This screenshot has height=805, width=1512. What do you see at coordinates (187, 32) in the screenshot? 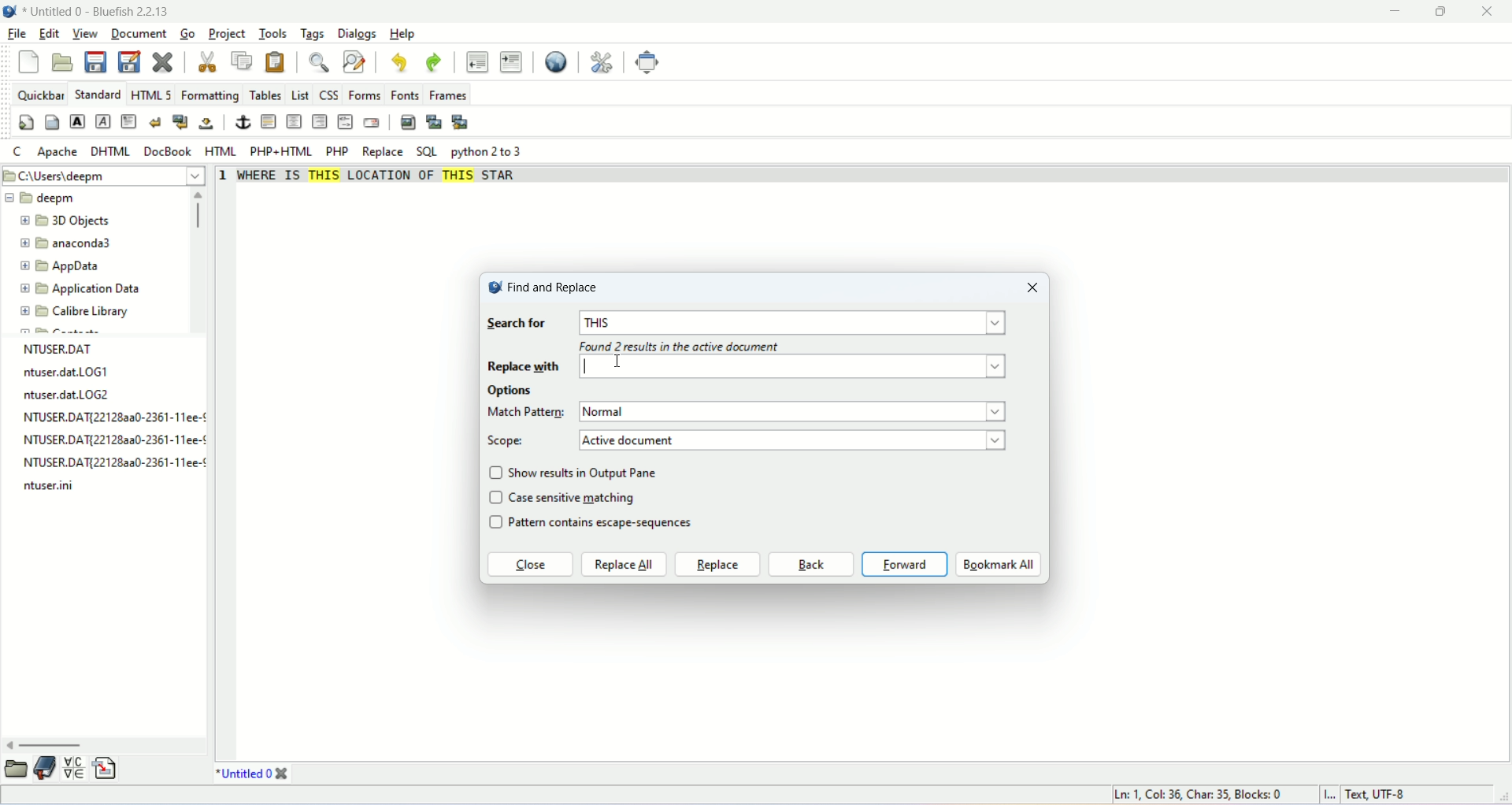
I see `go` at bounding box center [187, 32].